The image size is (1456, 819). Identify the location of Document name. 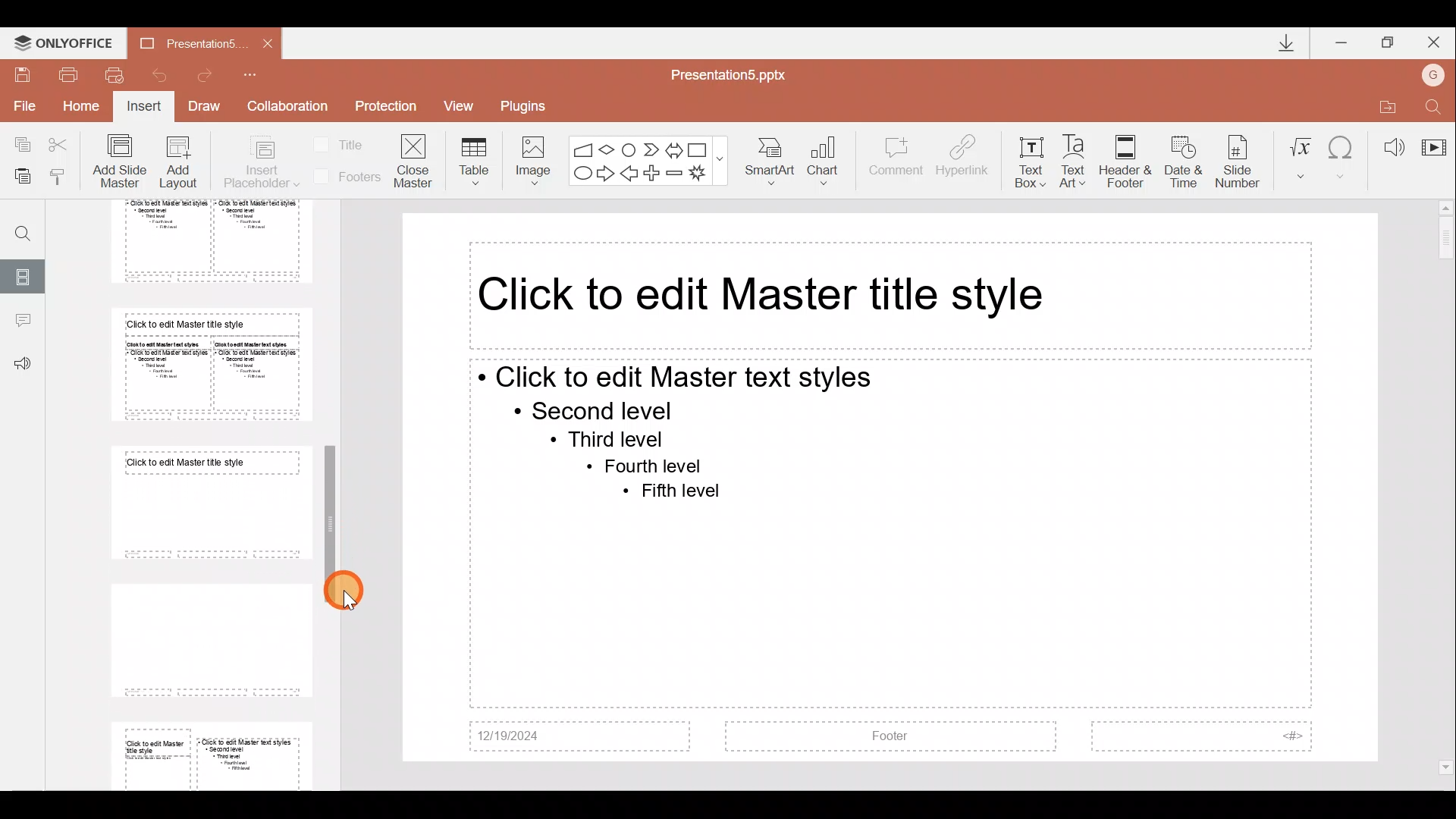
(181, 42).